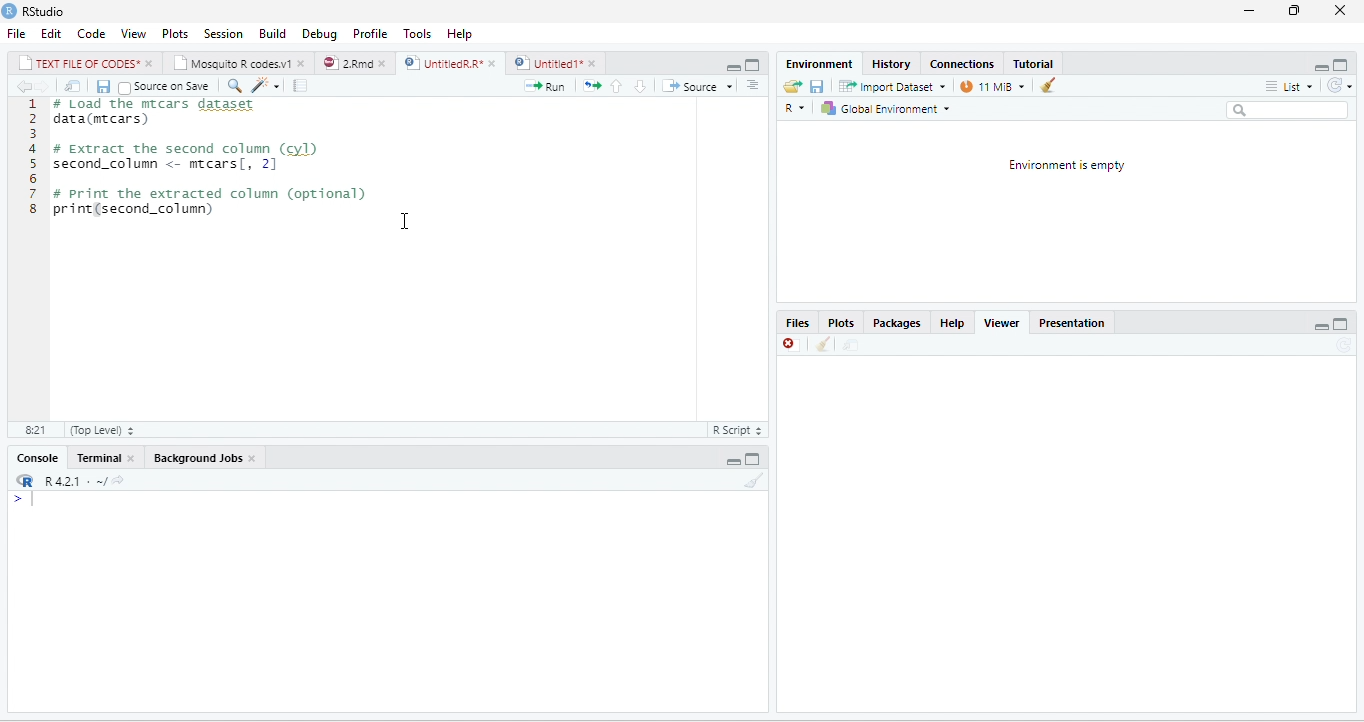  What do you see at coordinates (961, 64) in the screenshot?
I see `‘Connections` at bounding box center [961, 64].